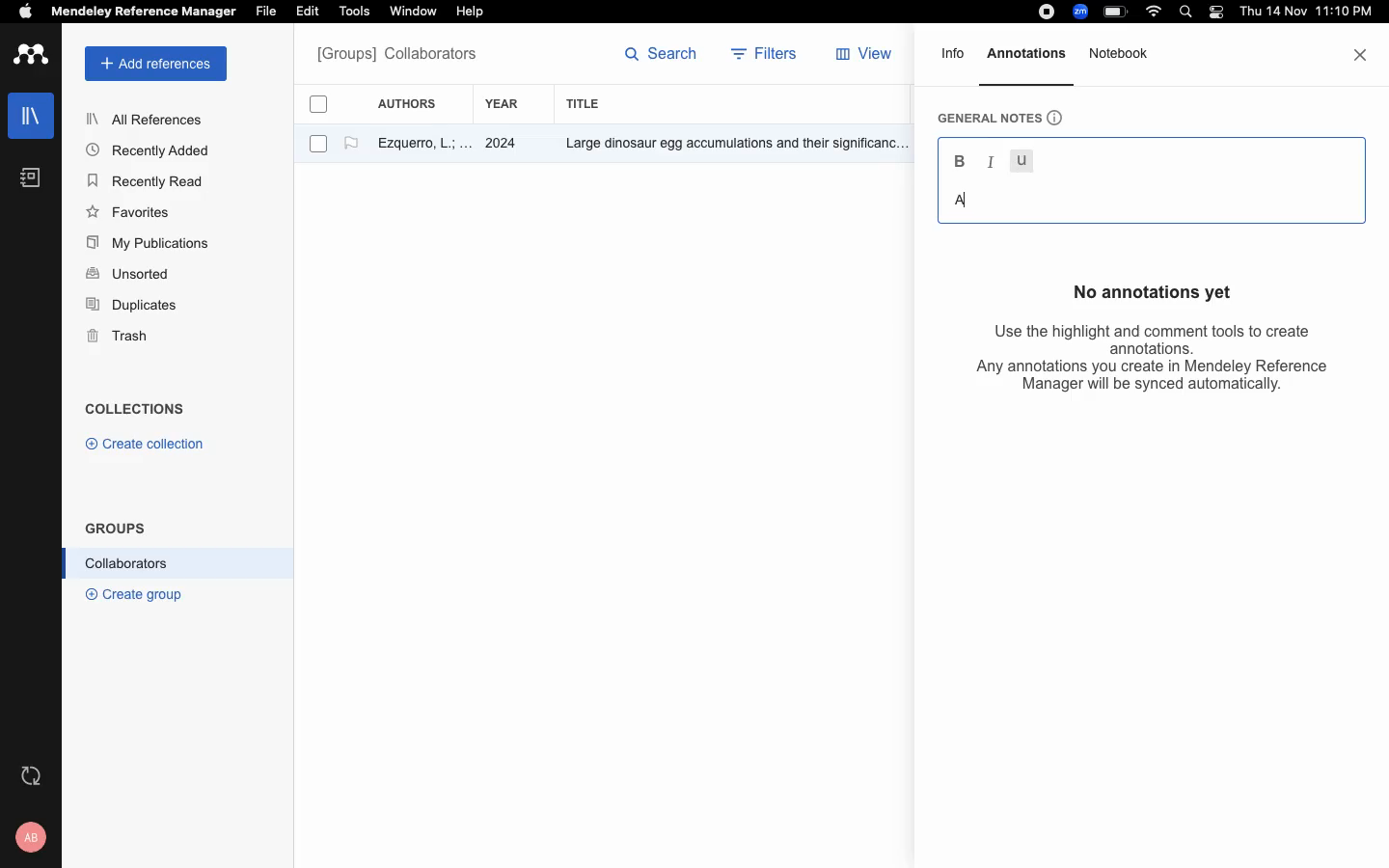 The image size is (1389, 868). I want to click on close, so click(1362, 55).